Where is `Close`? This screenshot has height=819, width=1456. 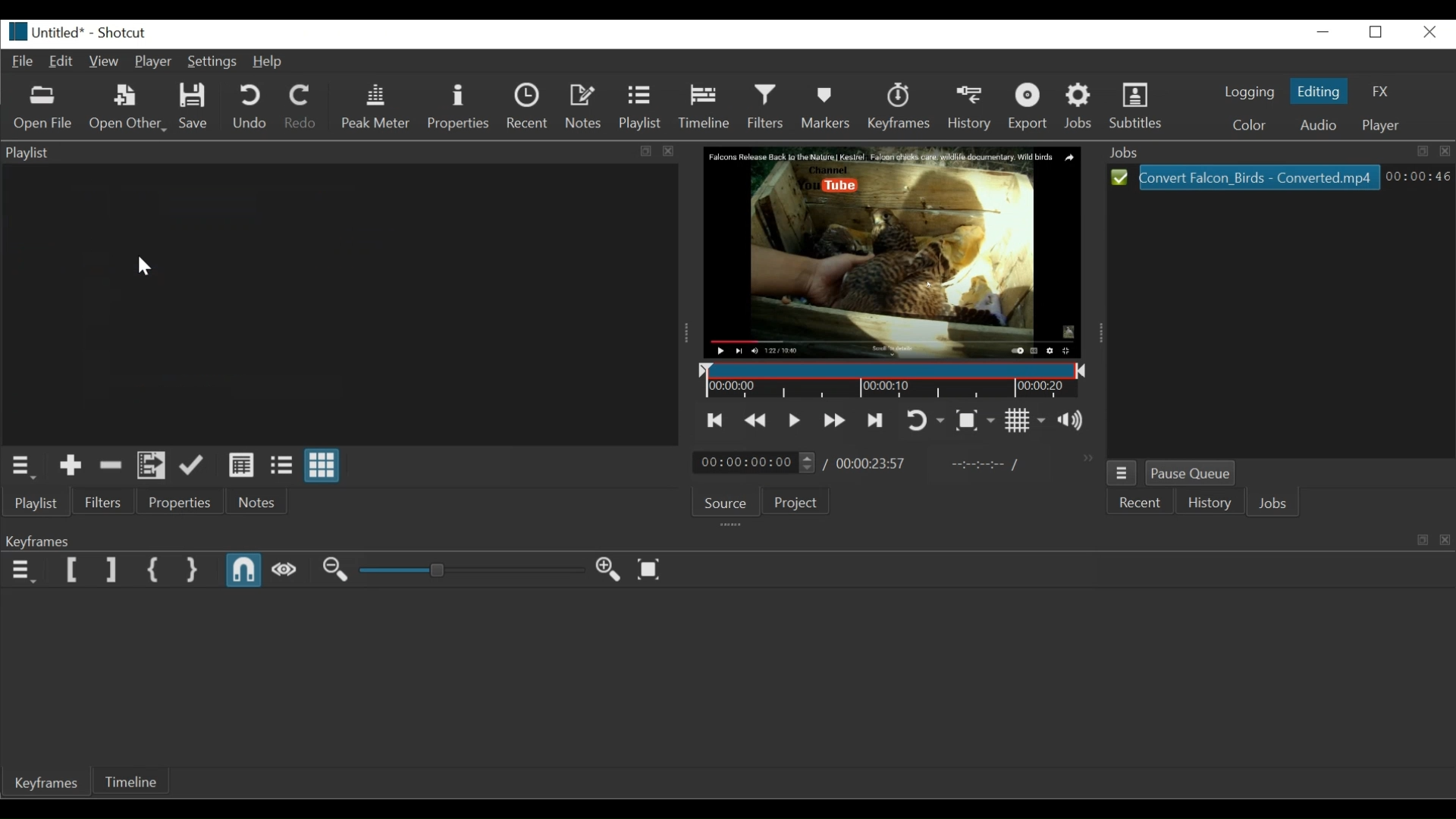 Close is located at coordinates (1447, 541).